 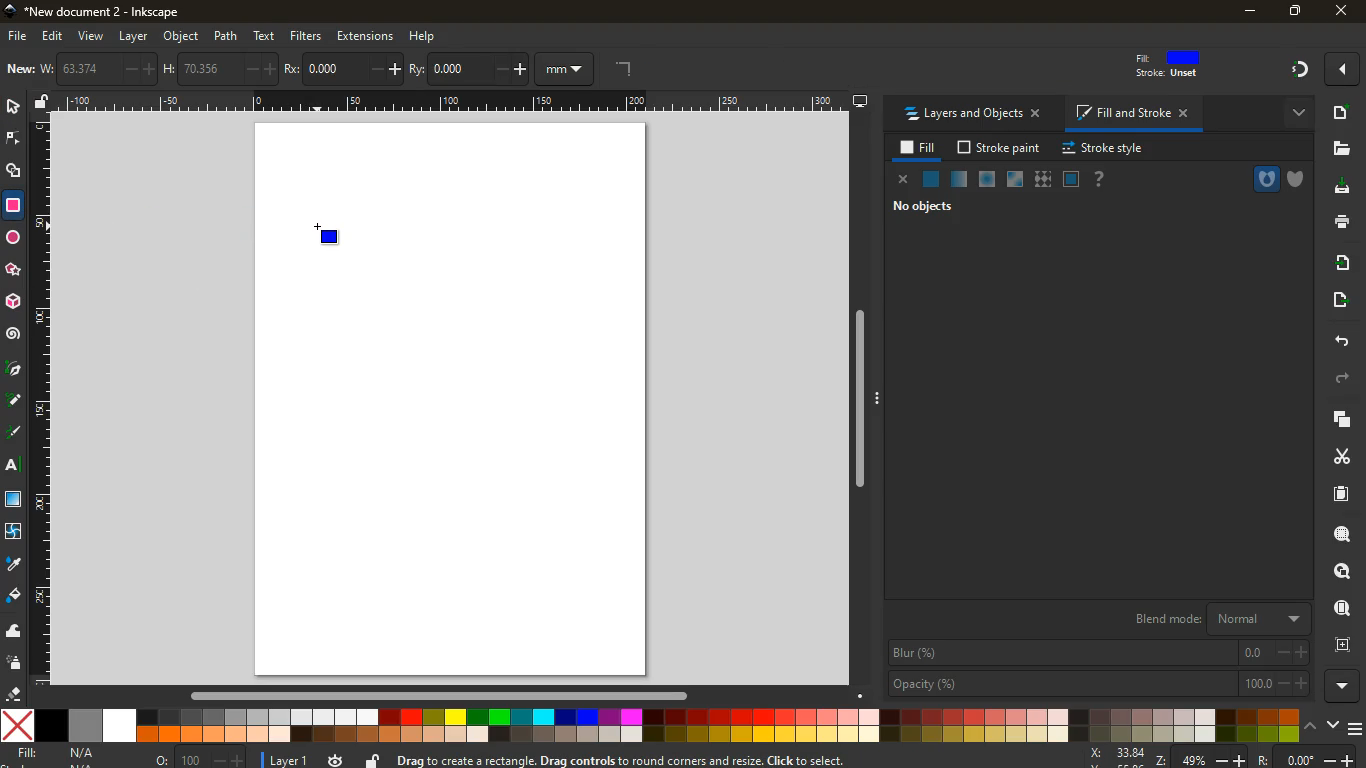 I want to click on opacity, so click(x=1098, y=684).